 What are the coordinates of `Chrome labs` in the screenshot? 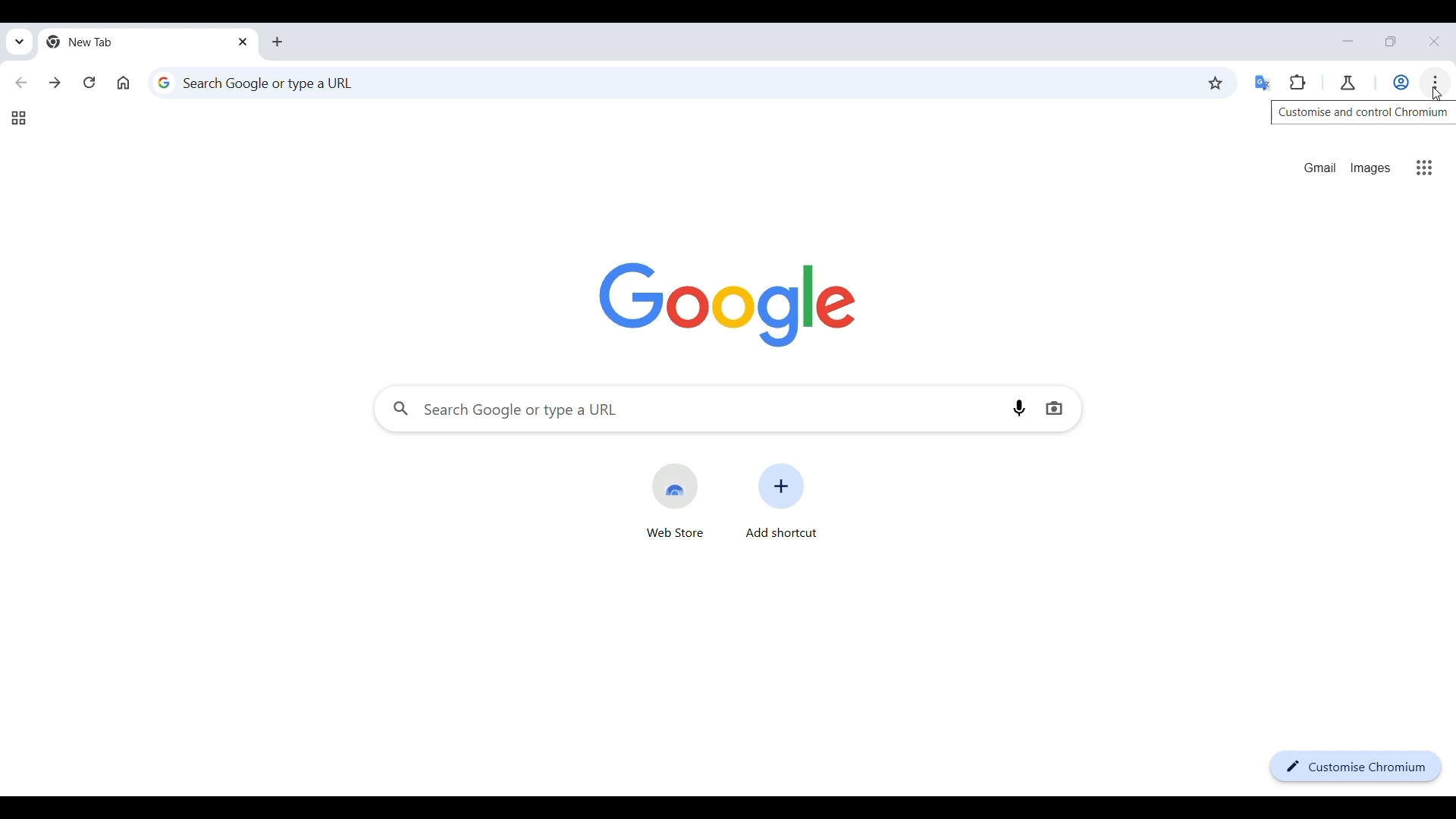 It's located at (1348, 83).